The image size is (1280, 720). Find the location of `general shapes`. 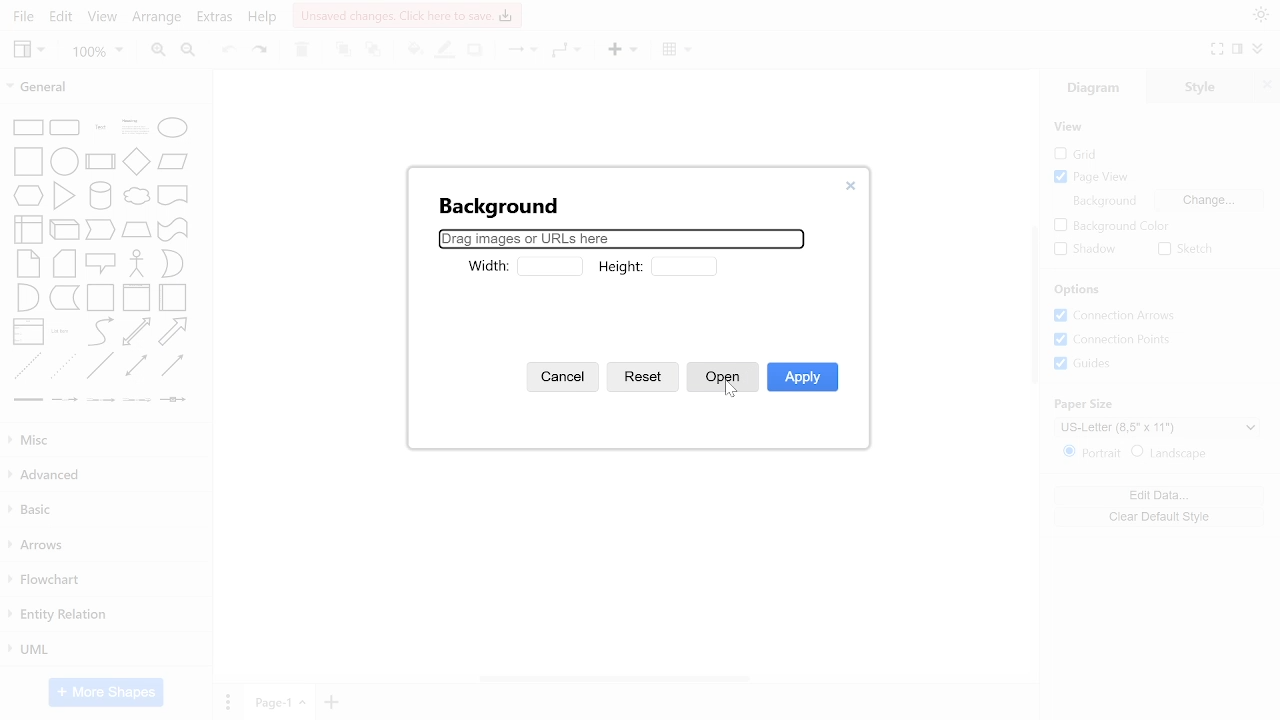

general shapes is located at coordinates (134, 228).